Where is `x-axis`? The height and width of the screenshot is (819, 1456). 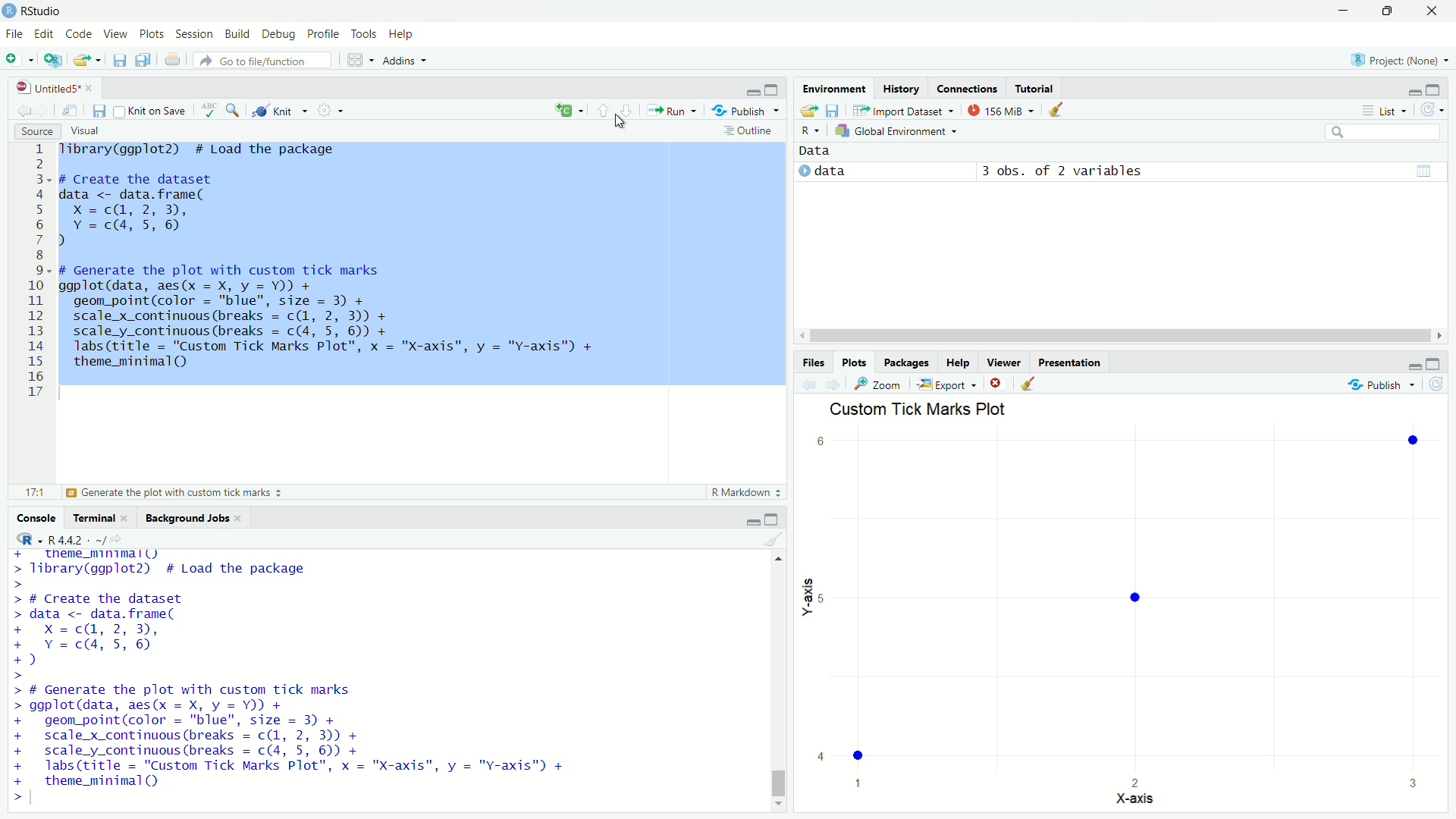 x-axis is located at coordinates (1141, 802).